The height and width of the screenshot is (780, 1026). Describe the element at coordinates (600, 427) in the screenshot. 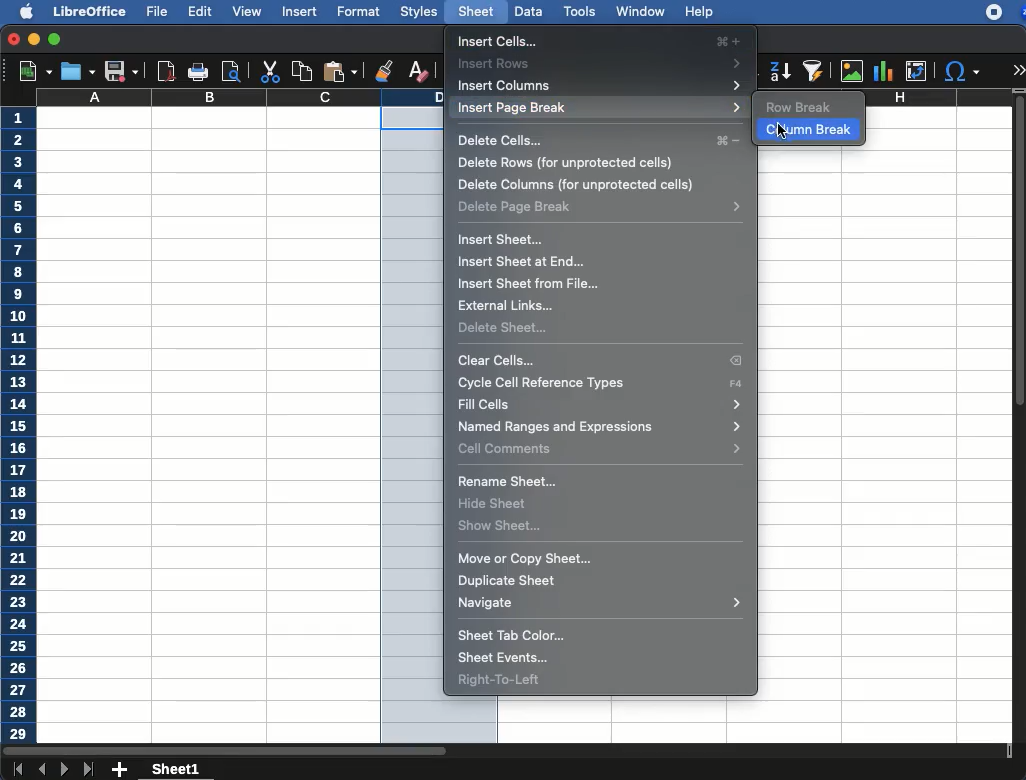

I see `named ranges and expressions` at that location.